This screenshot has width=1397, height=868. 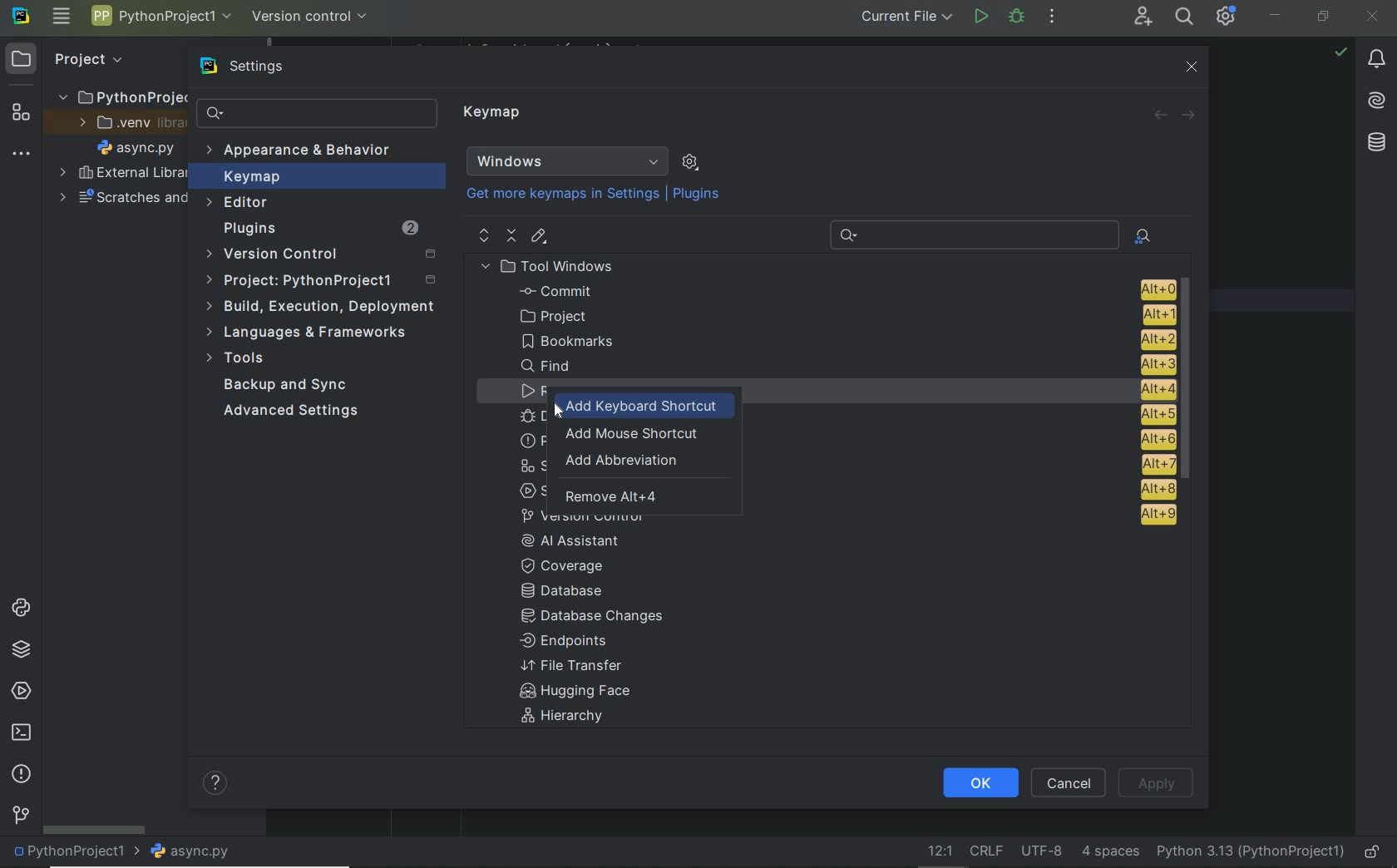 I want to click on Tool Windows, so click(x=554, y=266).